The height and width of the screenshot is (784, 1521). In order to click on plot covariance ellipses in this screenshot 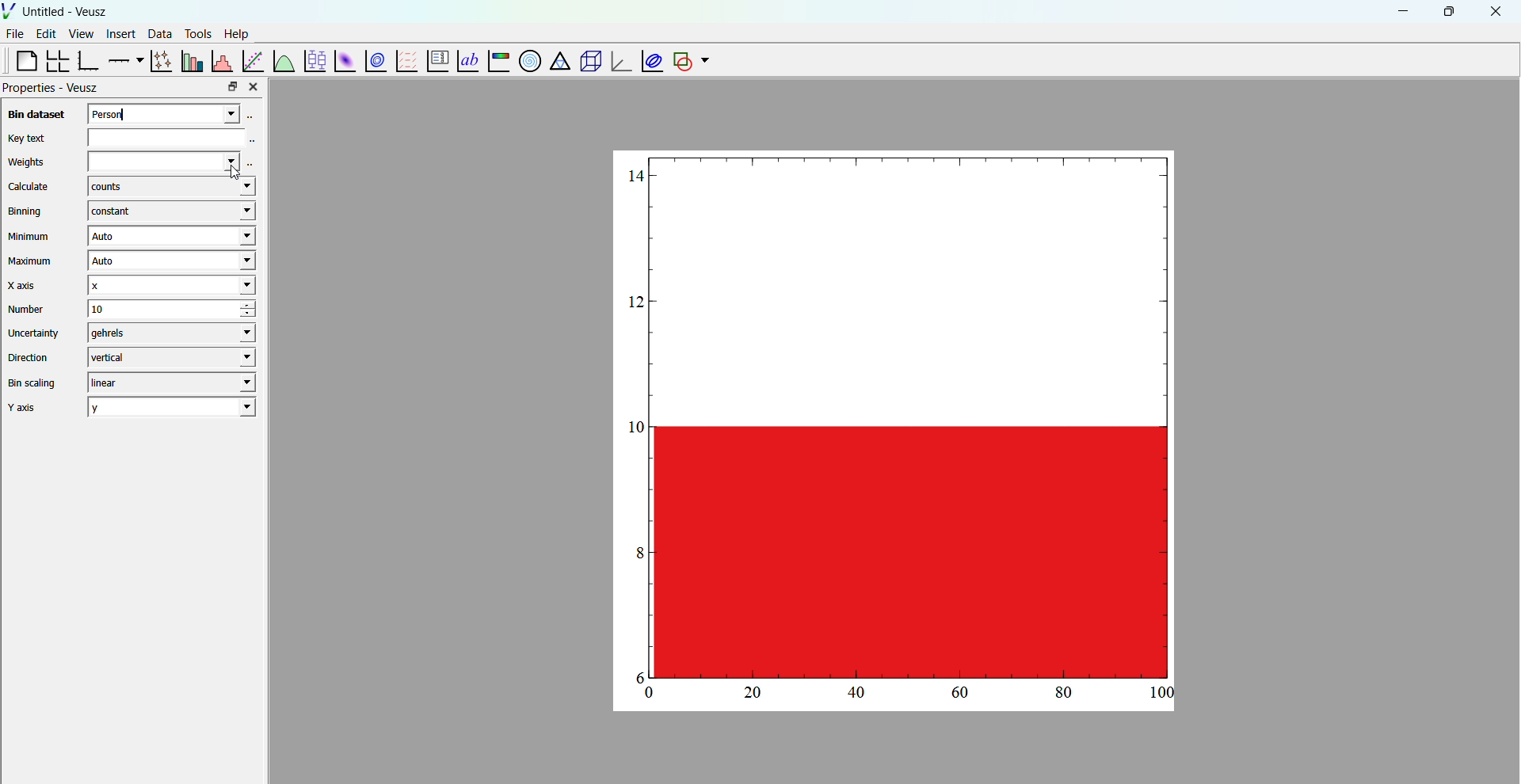, I will do `click(650, 60)`.